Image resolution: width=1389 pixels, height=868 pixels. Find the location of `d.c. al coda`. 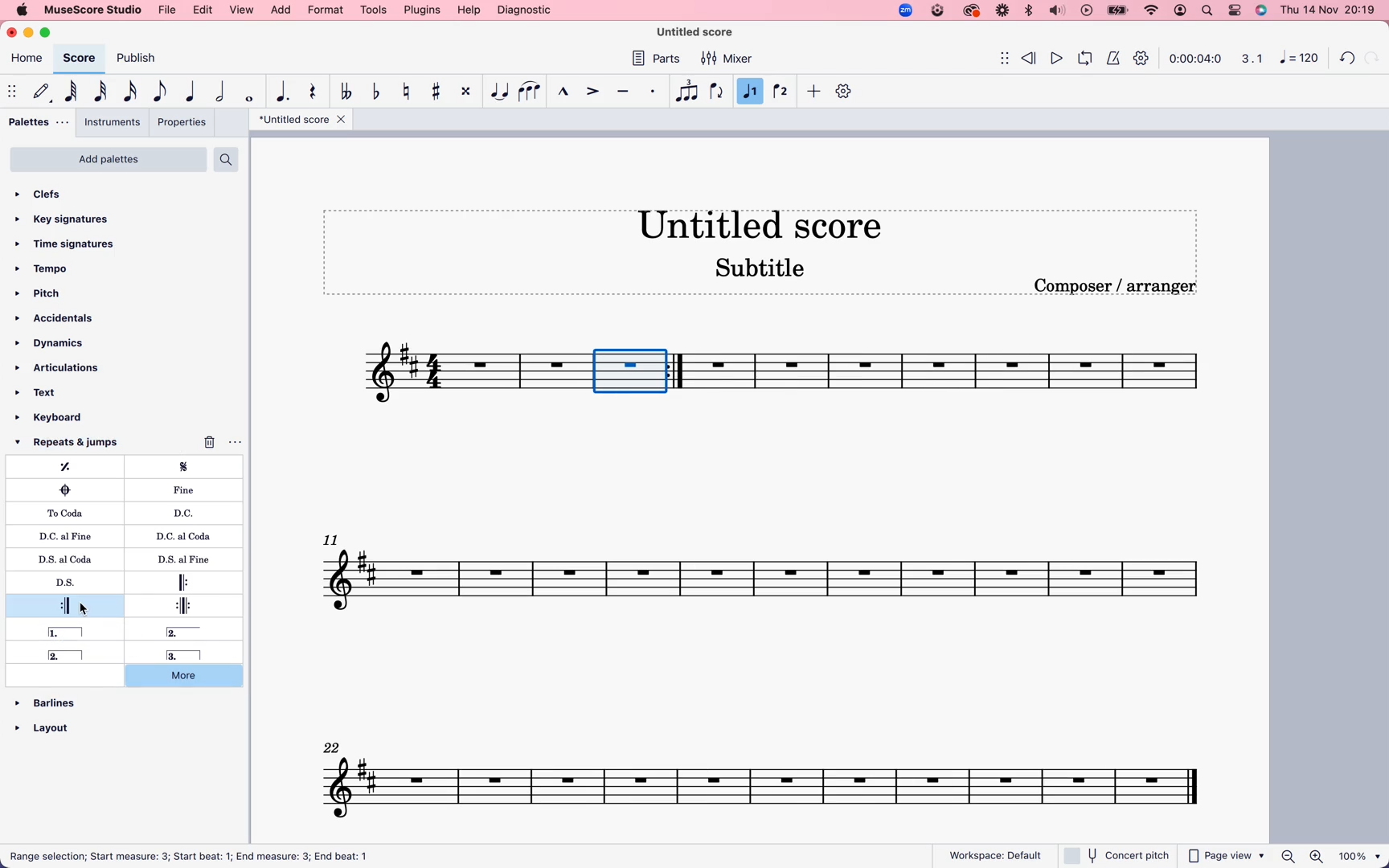

d.c. al coda is located at coordinates (178, 538).